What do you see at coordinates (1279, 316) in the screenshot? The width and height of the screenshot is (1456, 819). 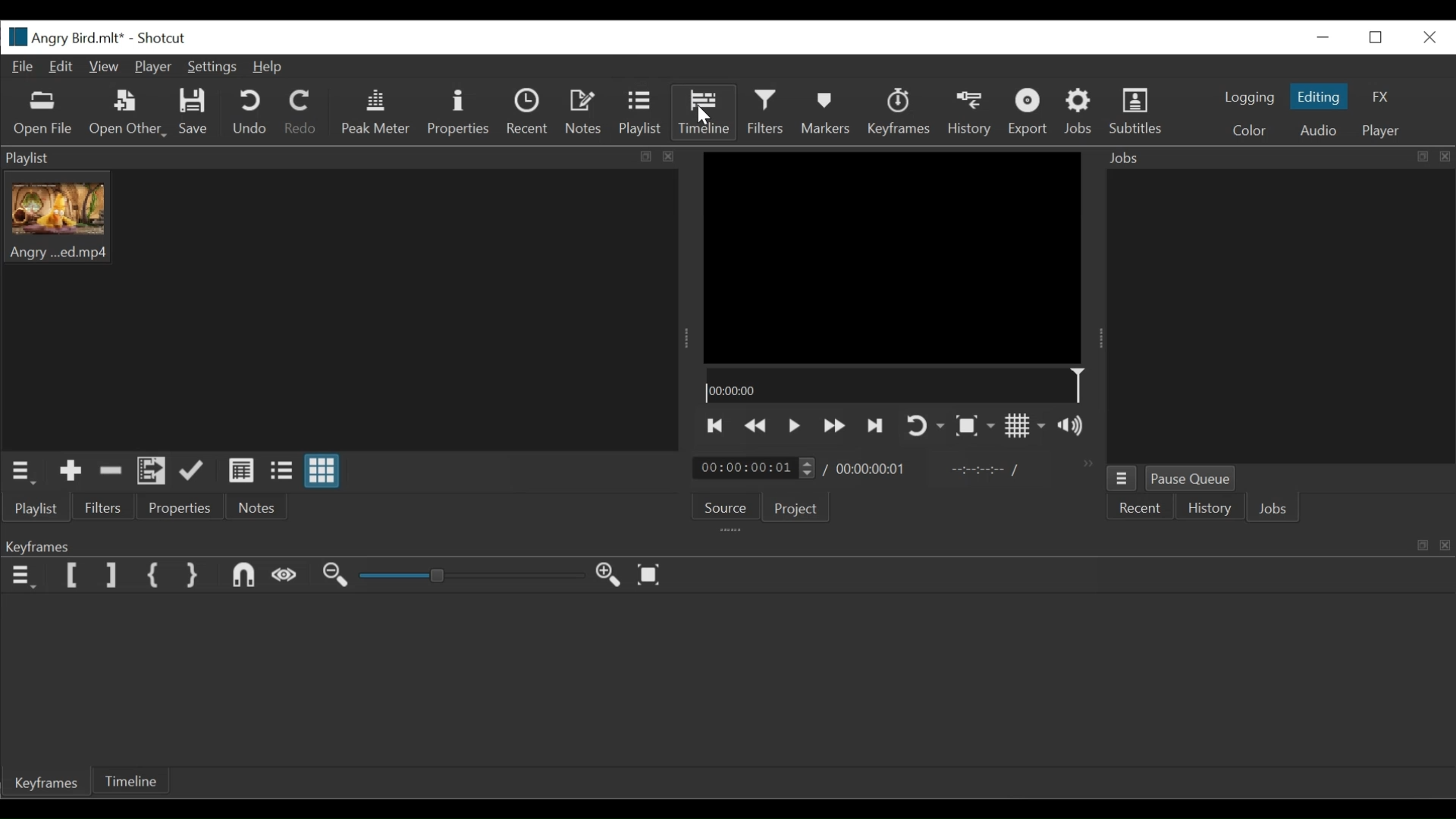 I see `Jobs Panel` at bounding box center [1279, 316].